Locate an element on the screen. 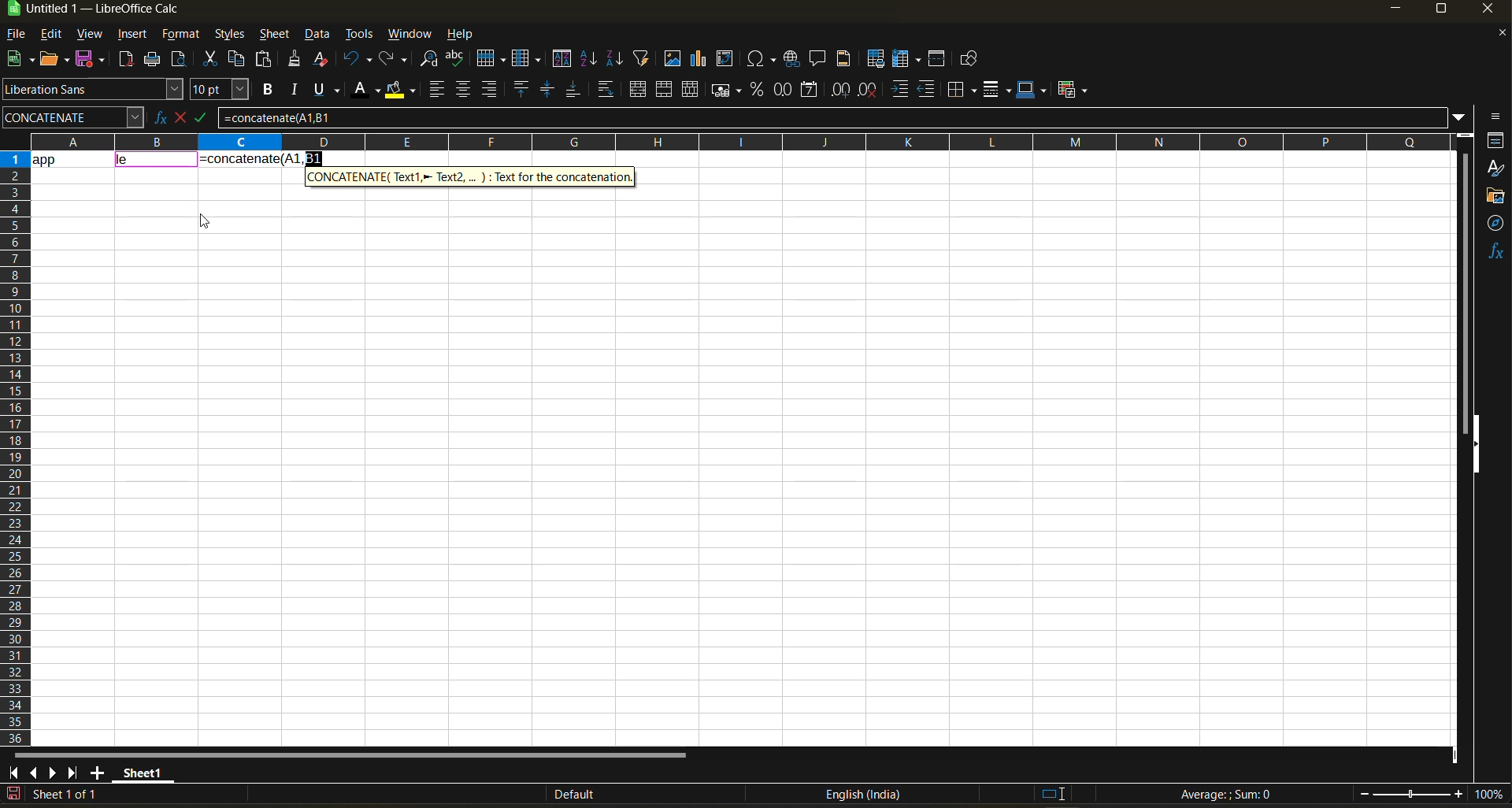 This screenshot has width=1512, height=808. increase indent is located at coordinates (902, 90).